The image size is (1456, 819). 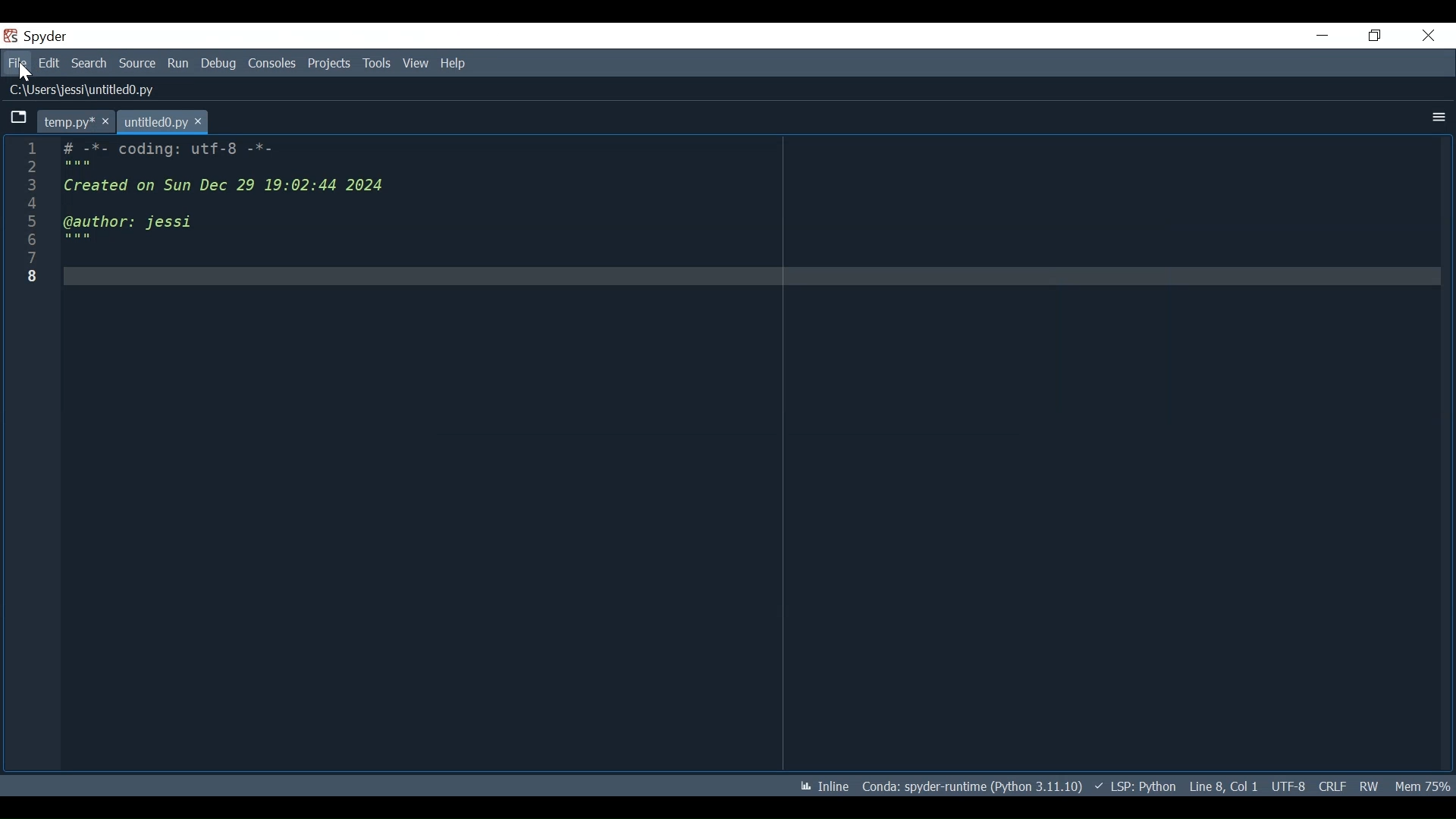 What do you see at coordinates (741, 211) in the screenshot?
I see `# -*- coding: utf-8 -*- """ Spyder Editor  This is a temporary script file. """` at bounding box center [741, 211].